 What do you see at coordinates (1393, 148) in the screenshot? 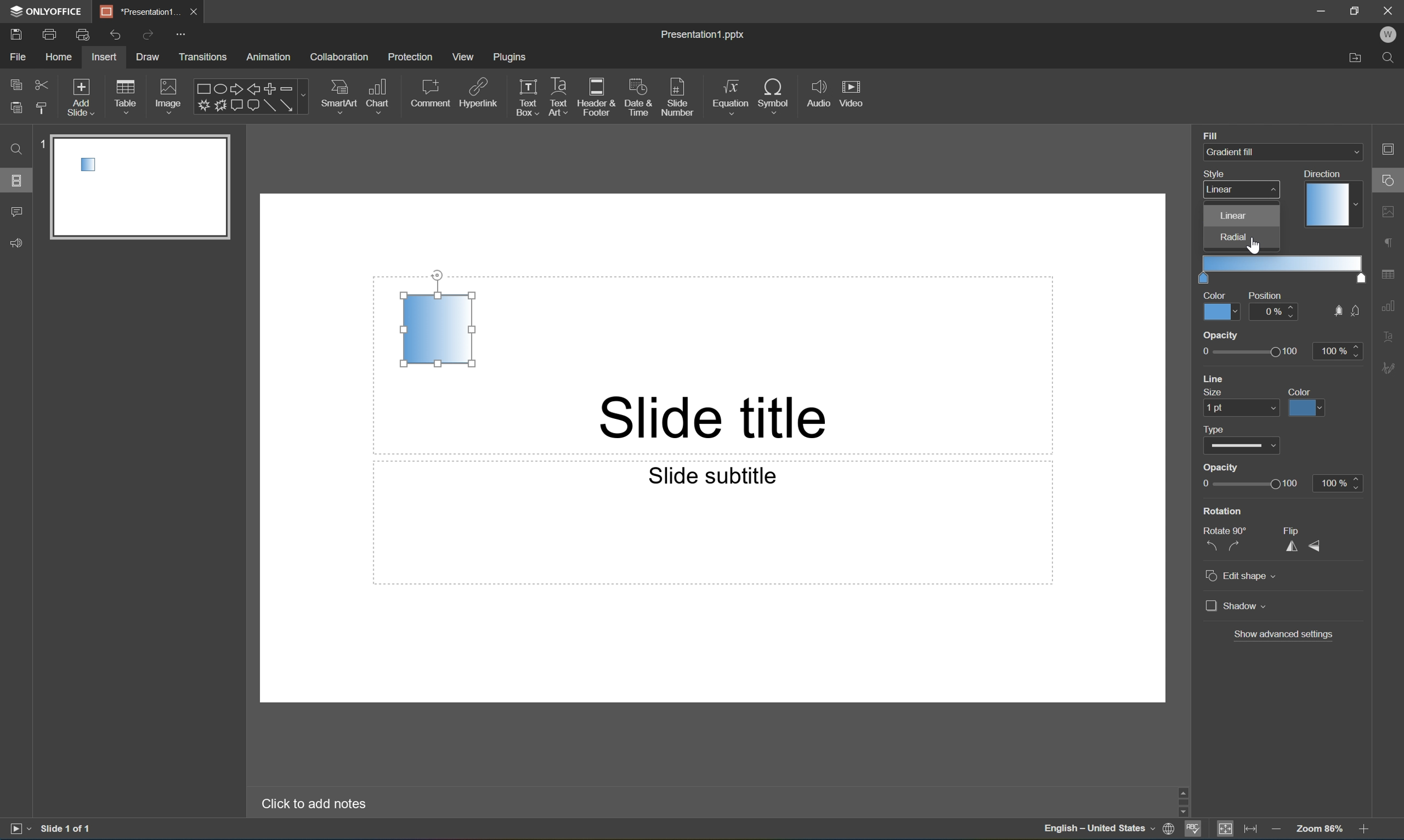
I see `Slide settings` at bounding box center [1393, 148].